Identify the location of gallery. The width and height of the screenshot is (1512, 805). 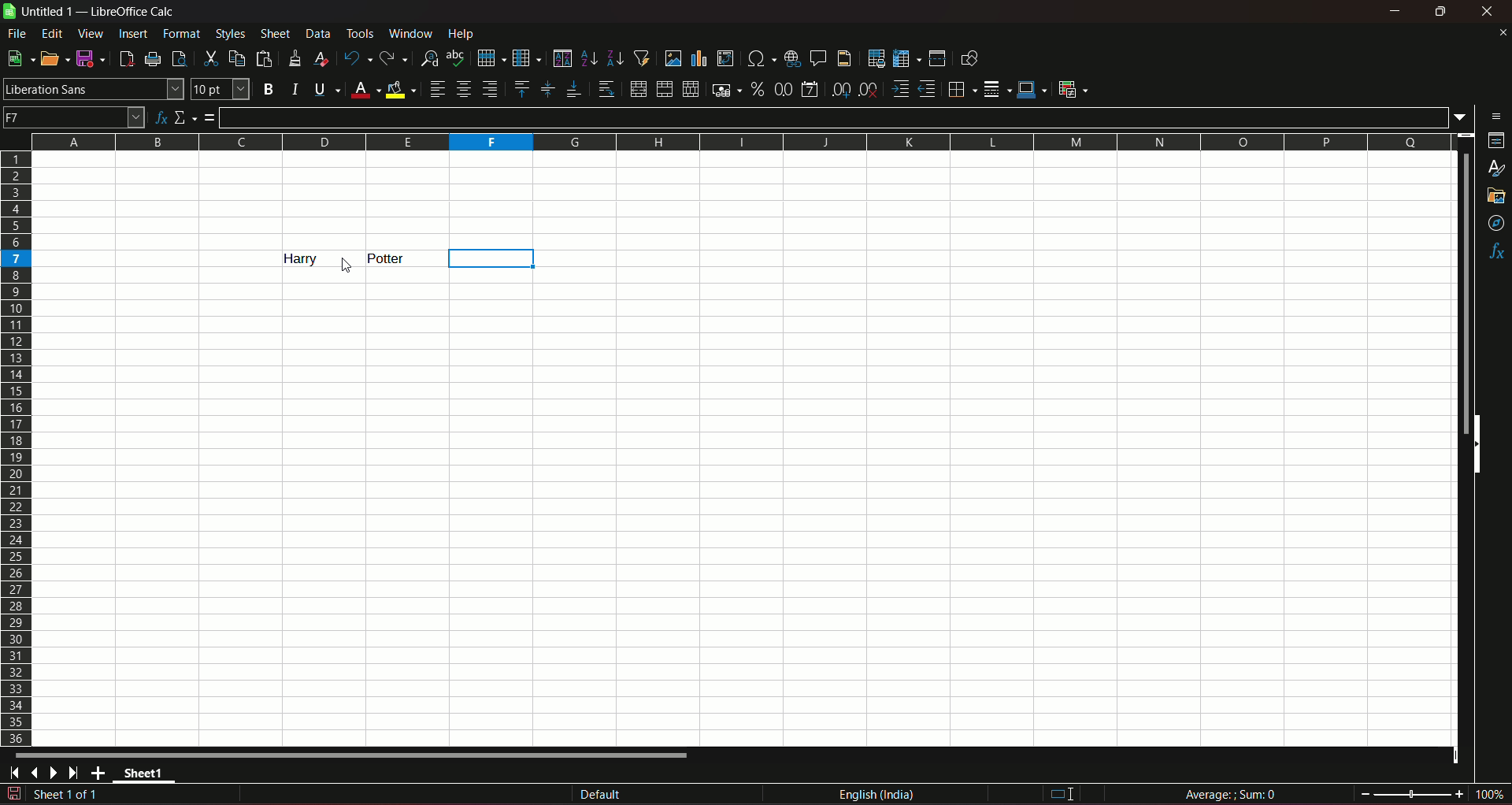
(1495, 196).